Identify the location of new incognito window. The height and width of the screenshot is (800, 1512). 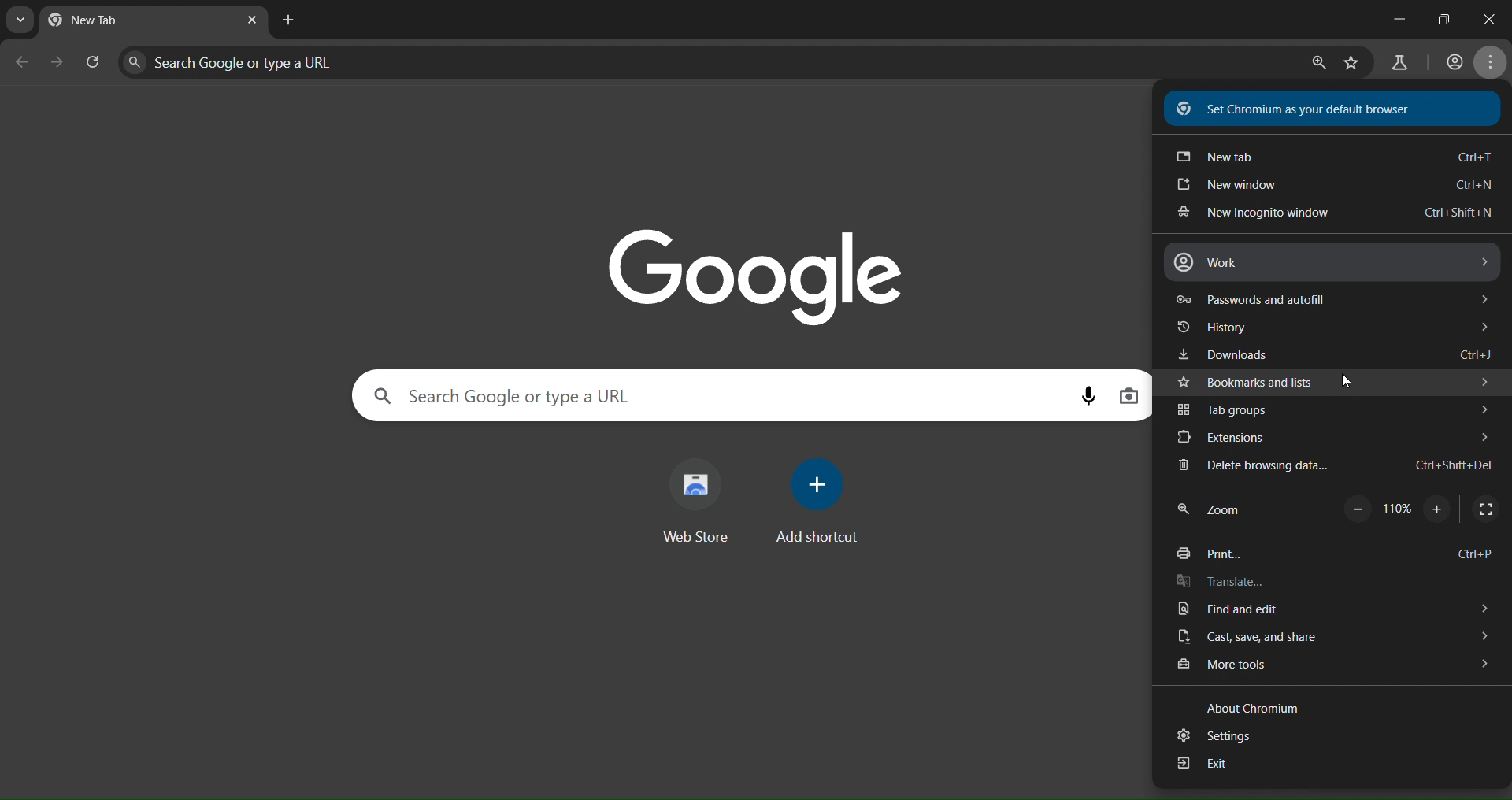
(1333, 212).